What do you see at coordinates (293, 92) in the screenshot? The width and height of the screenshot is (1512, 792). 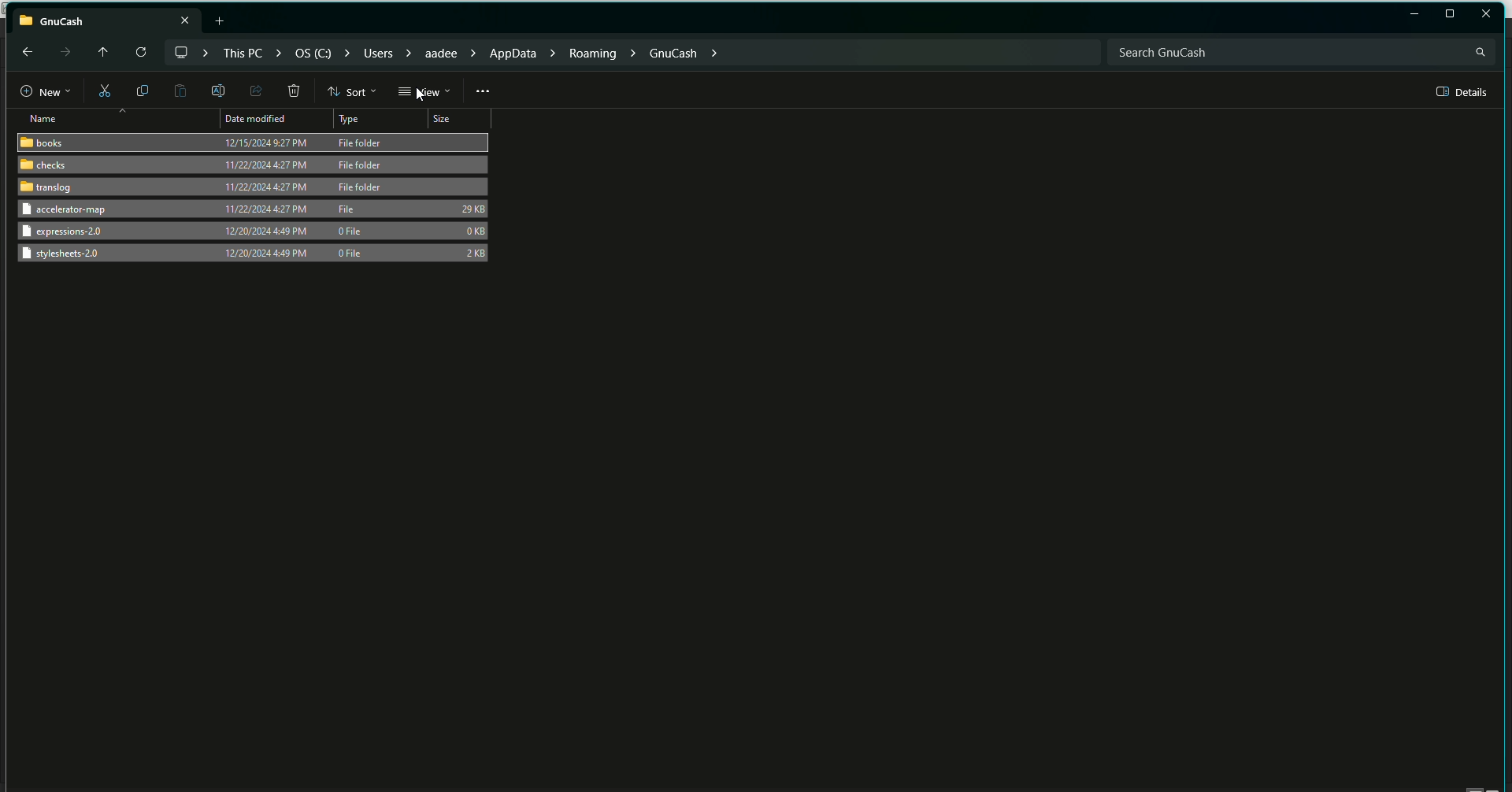 I see `Delete` at bounding box center [293, 92].